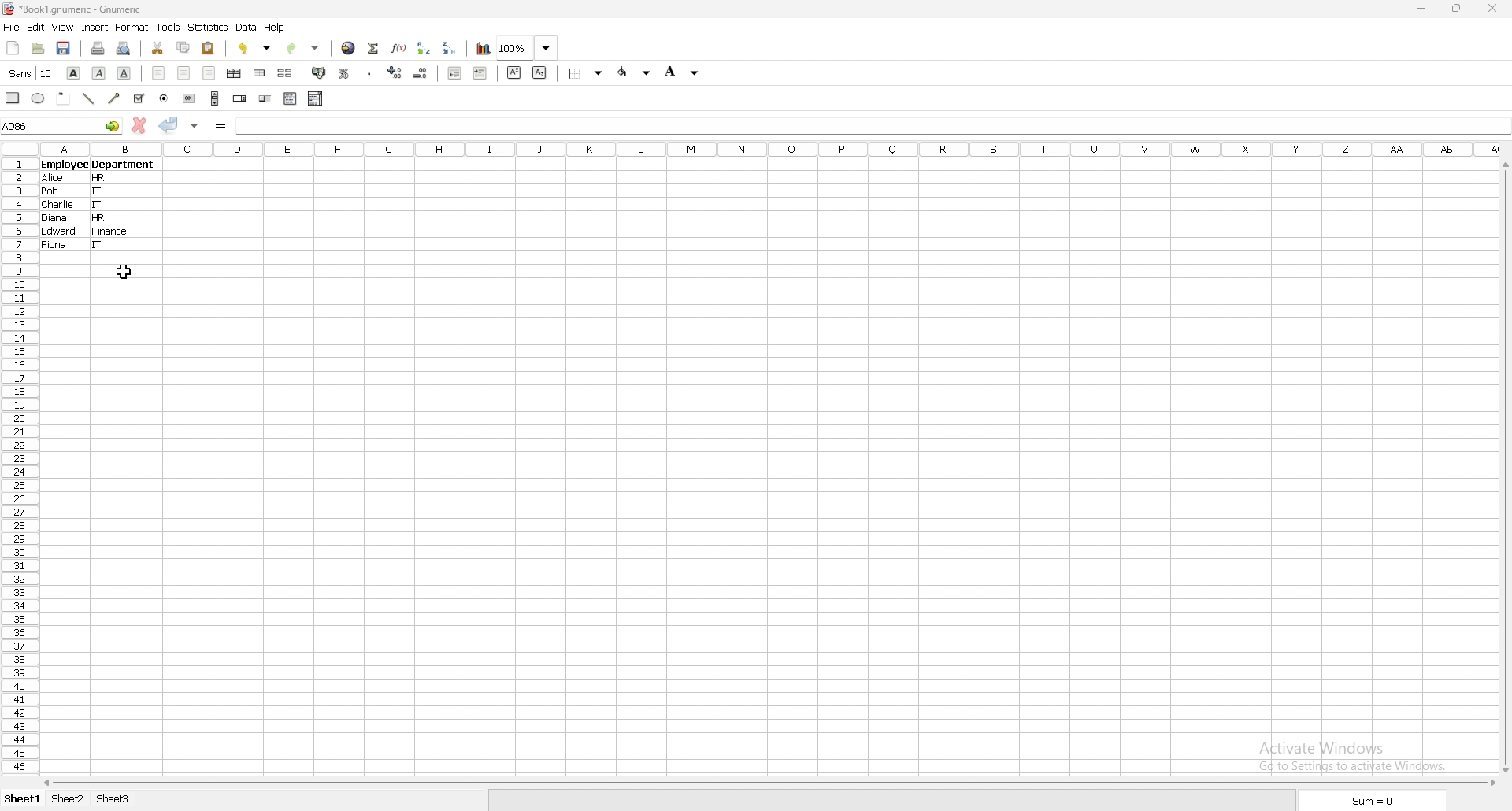 This screenshot has width=1512, height=811. I want to click on line, so click(87, 99).